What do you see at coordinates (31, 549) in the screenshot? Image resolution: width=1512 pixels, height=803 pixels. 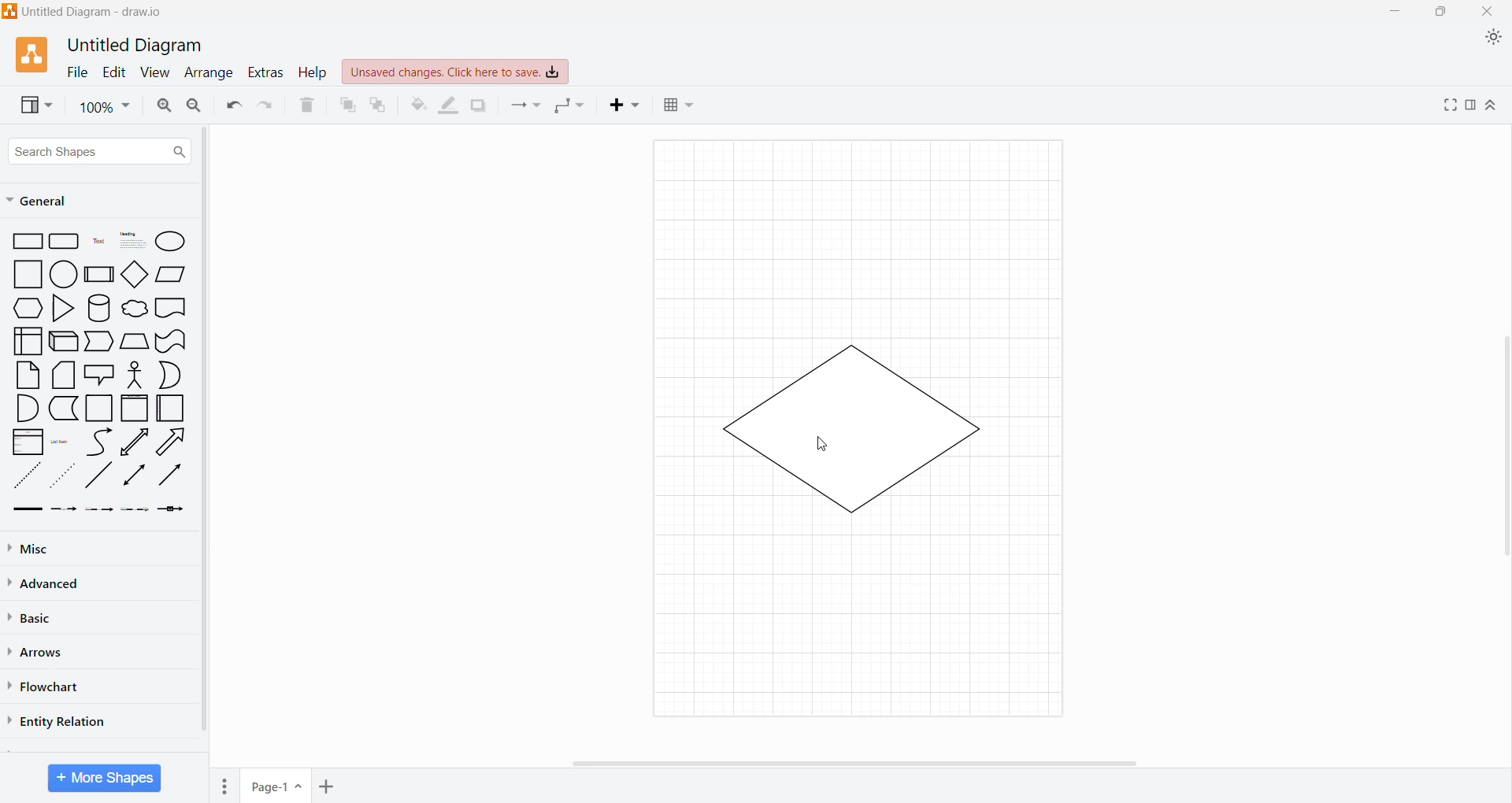 I see `Misc` at bounding box center [31, 549].